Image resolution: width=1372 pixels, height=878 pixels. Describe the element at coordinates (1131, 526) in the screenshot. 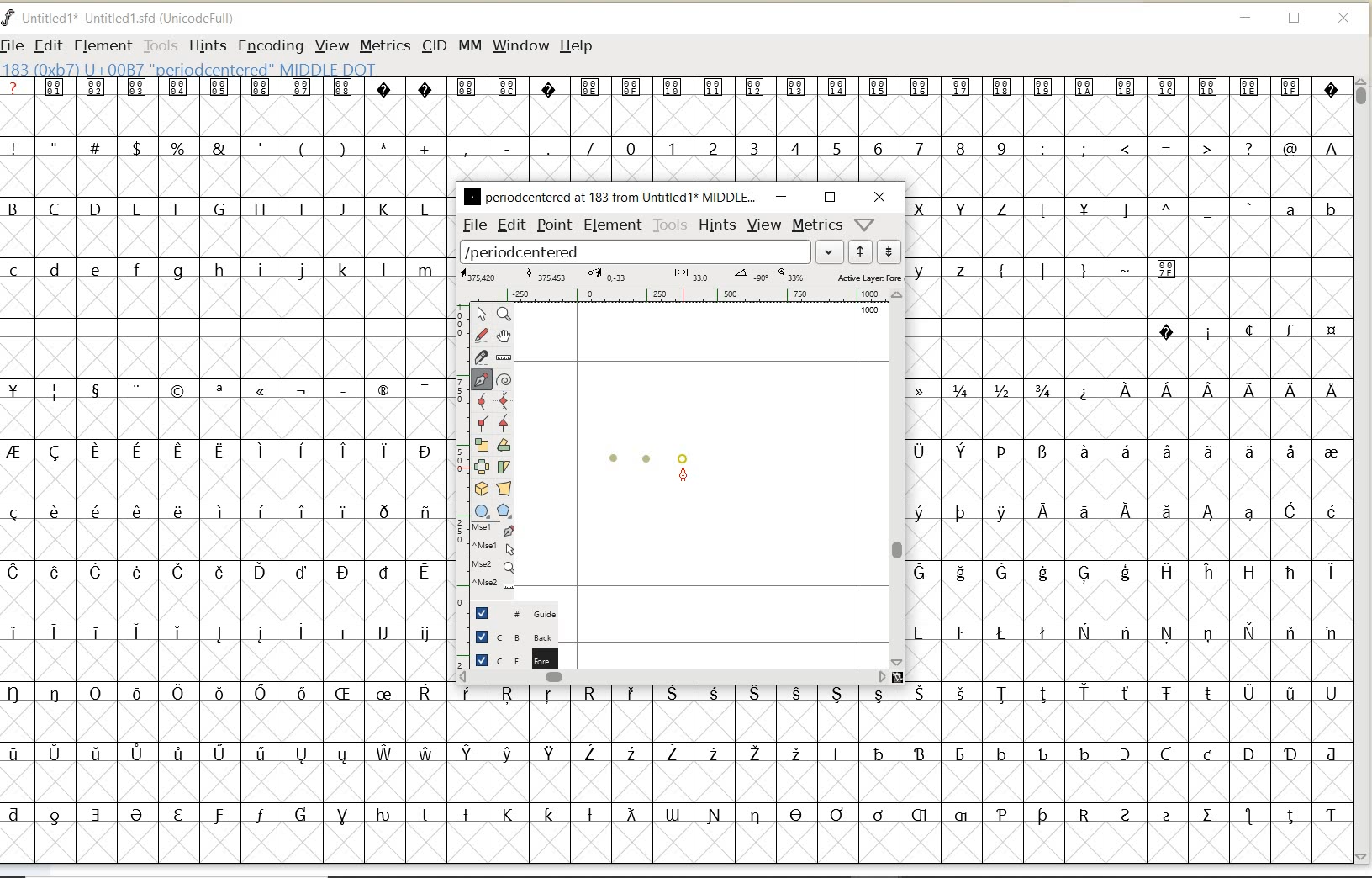

I see `special characters` at that location.